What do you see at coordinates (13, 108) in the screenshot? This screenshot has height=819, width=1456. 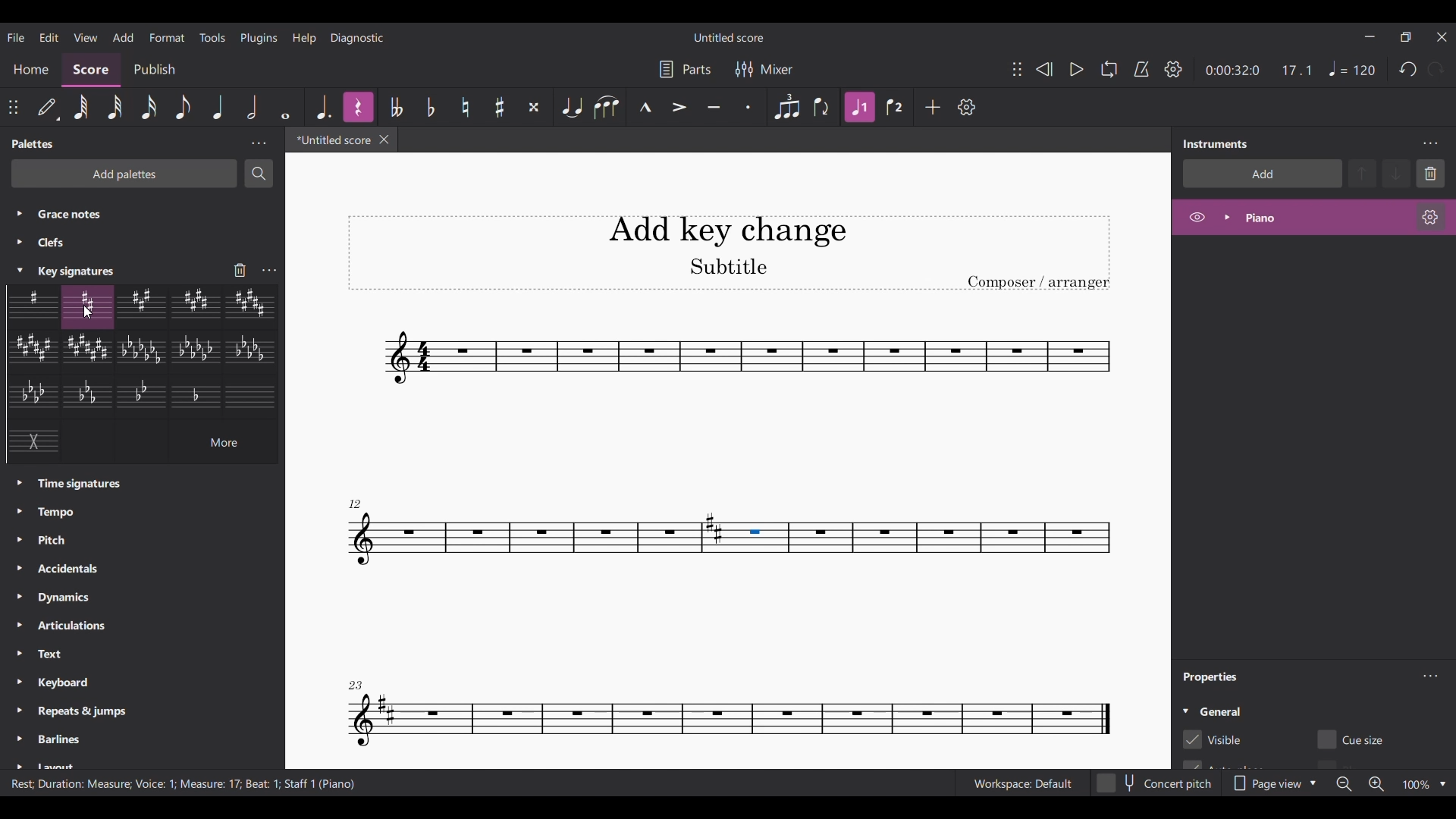 I see `Move toolbar attached` at bounding box center [13, 108].